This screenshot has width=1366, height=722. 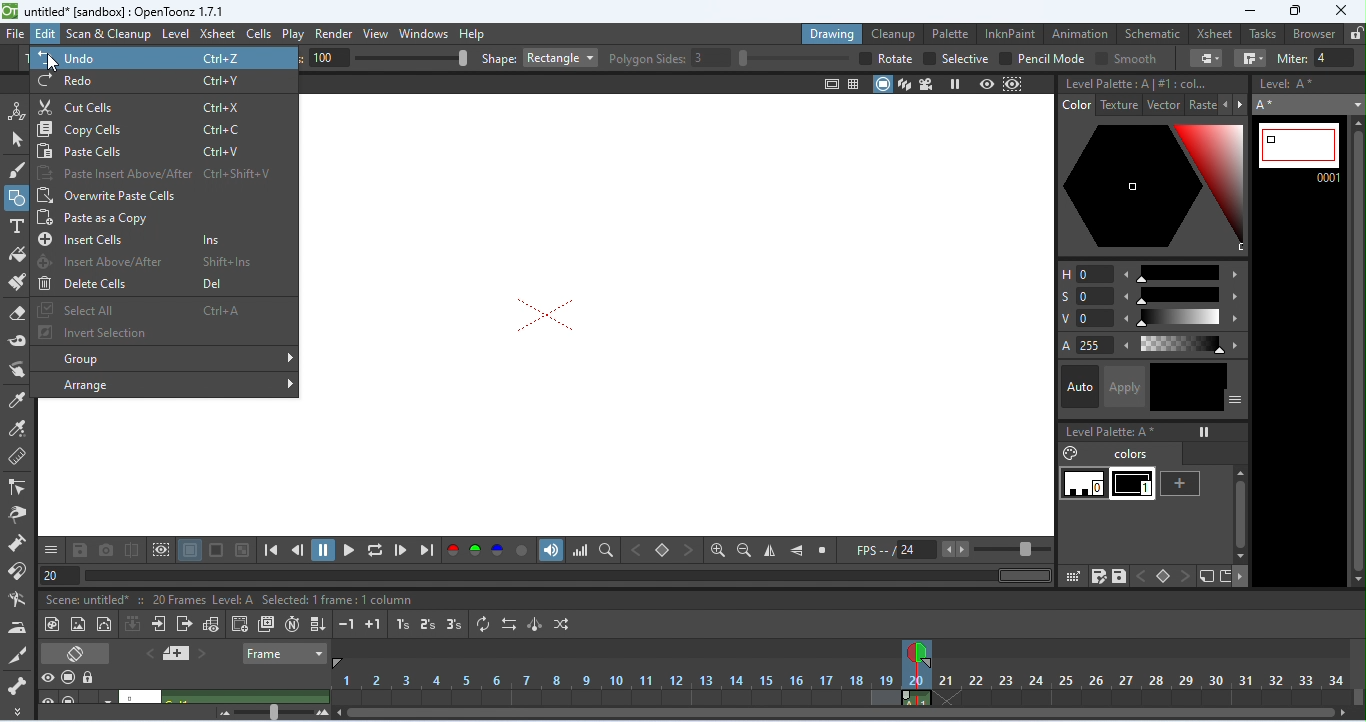 I want to click on sound track, so click(x=550, y=550).